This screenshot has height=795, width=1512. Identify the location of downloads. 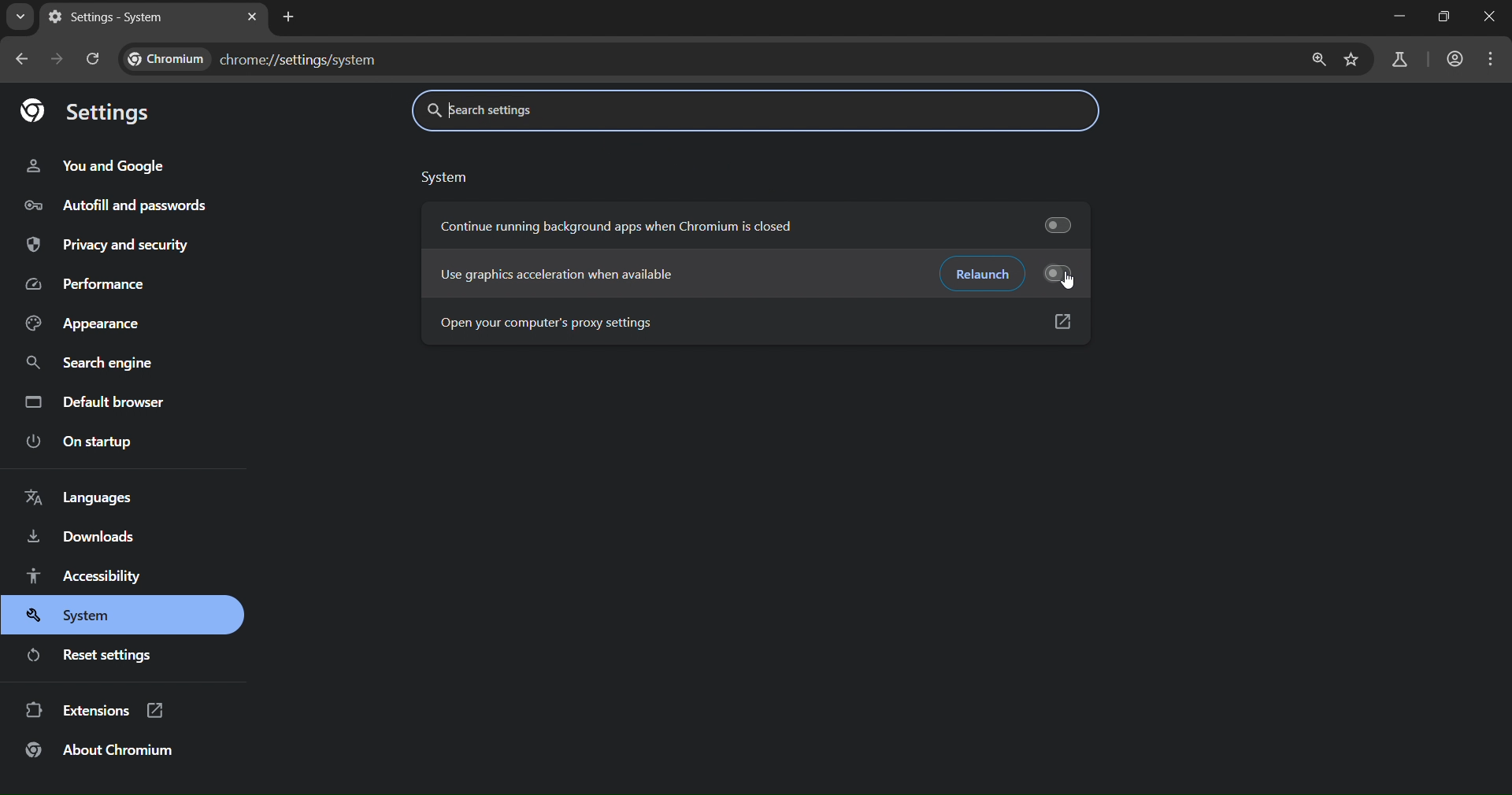
(86, 534).